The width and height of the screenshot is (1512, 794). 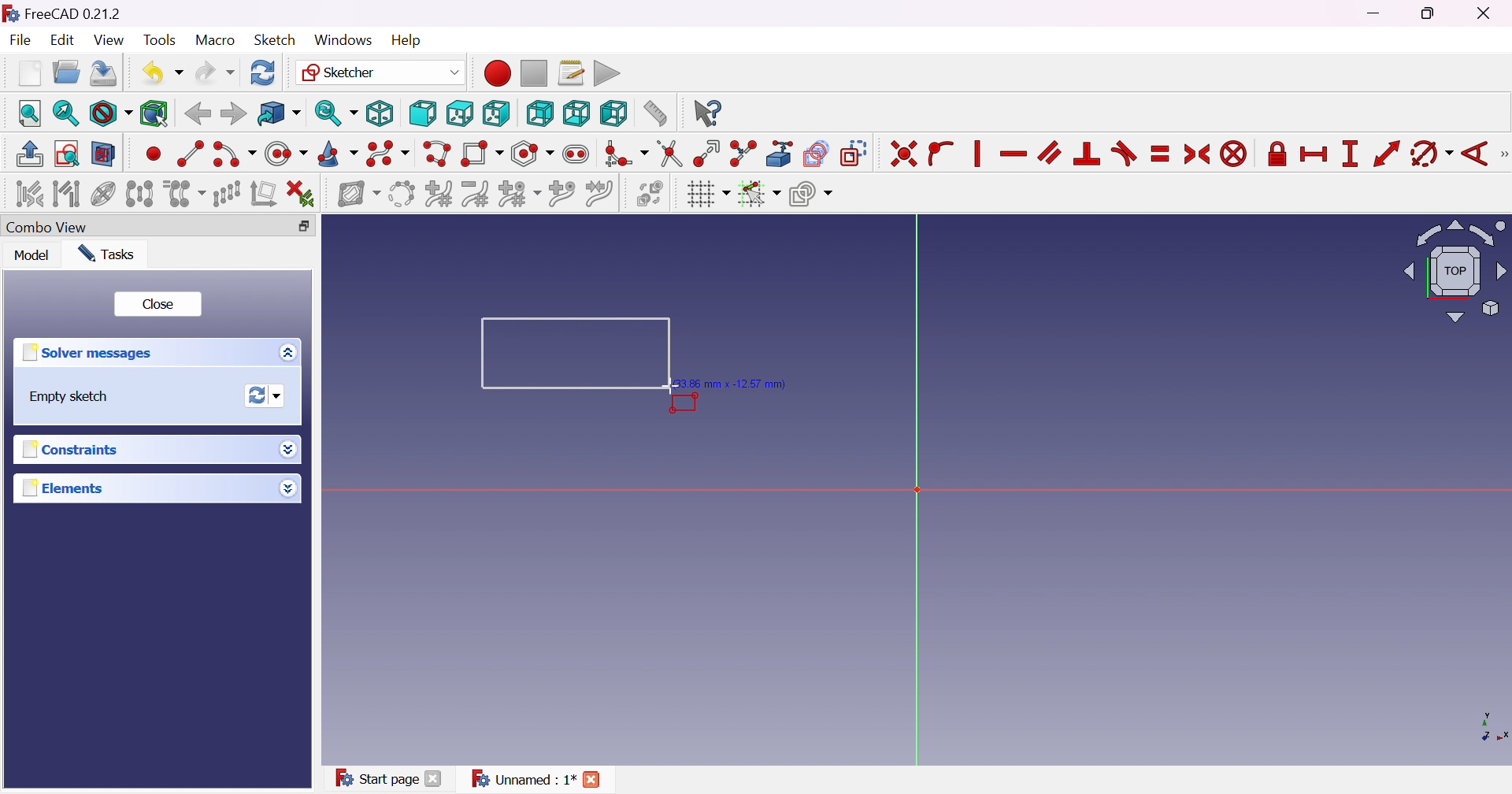 I want to click on Create B-spline, so click(x=387, y=154).